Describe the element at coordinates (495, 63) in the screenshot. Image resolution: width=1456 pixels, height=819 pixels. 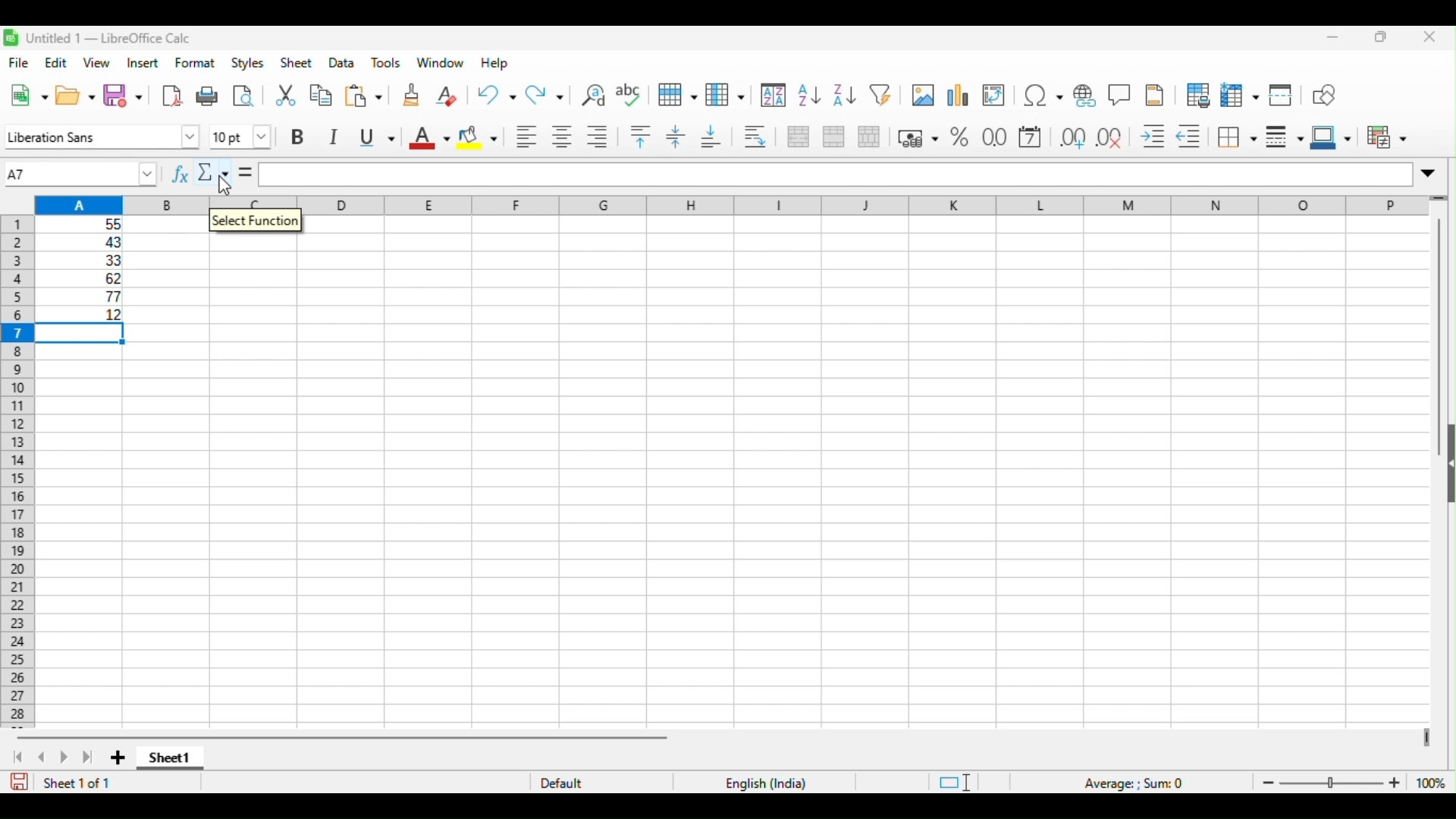
I see `help` at that location.